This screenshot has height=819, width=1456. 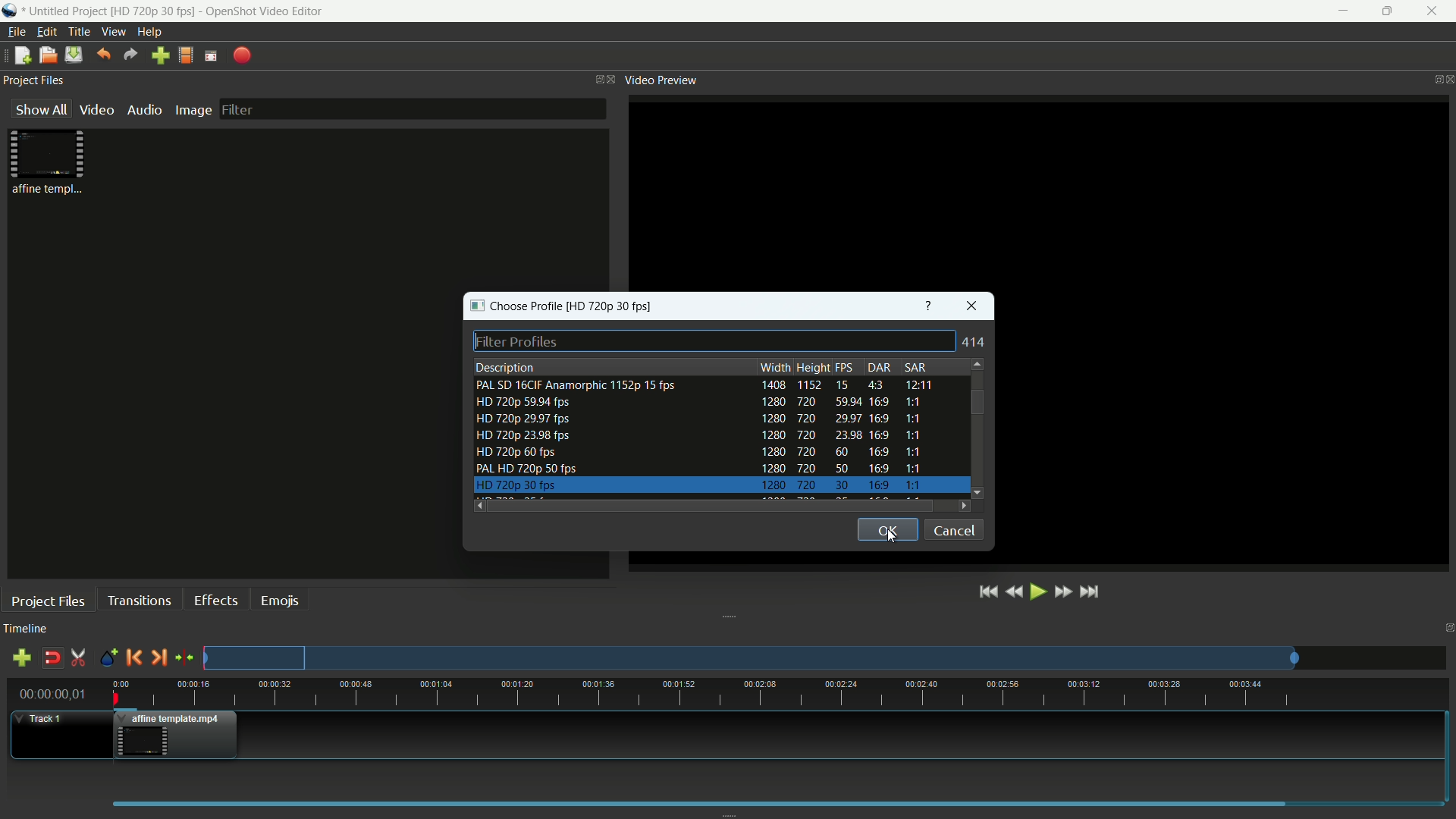 I want to click on profile-2, so click(x=704, y=402).